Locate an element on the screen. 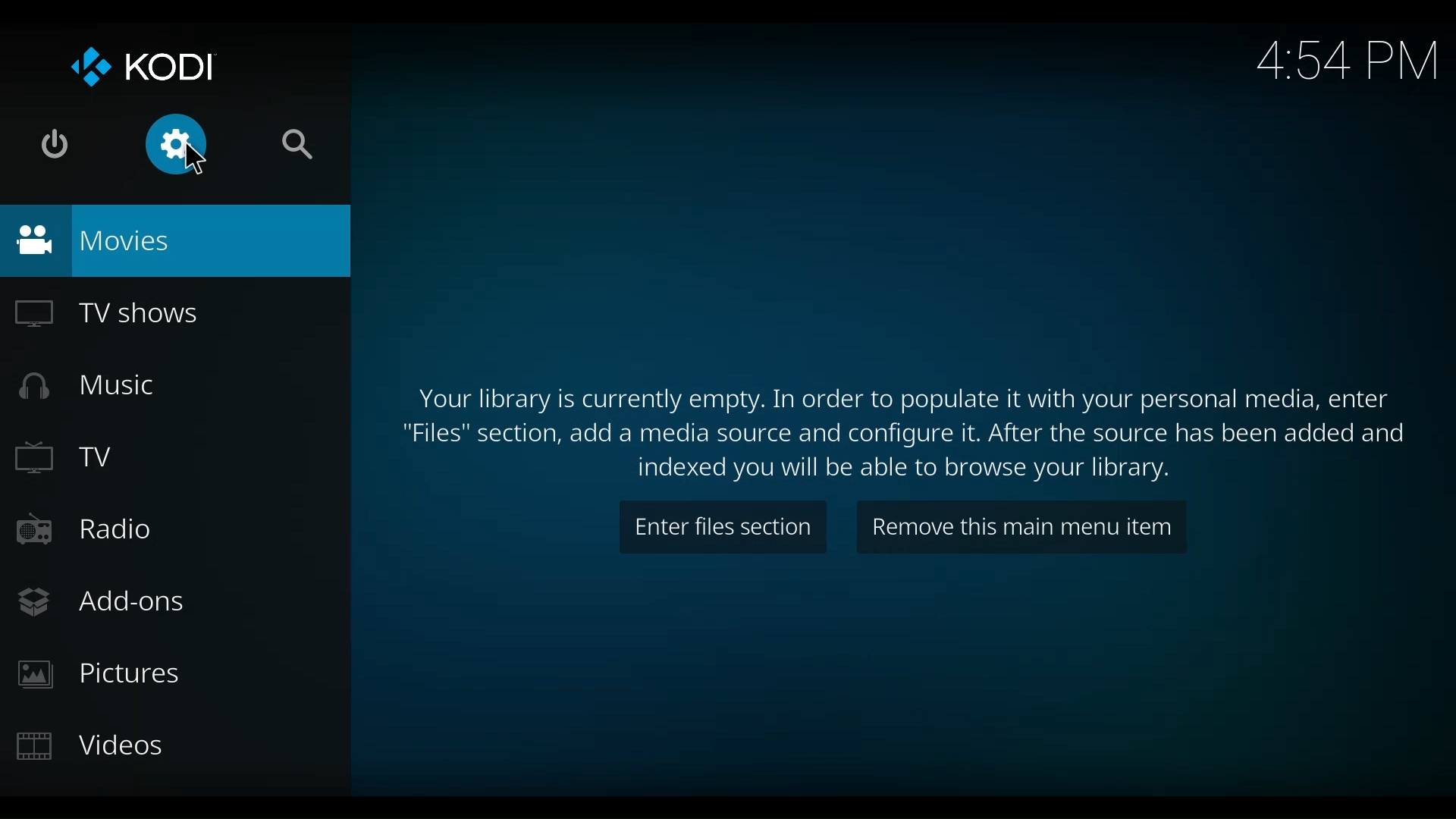 The width and height of the screenshot is (1456, 819). Movies is located at coordinates (174, 240).